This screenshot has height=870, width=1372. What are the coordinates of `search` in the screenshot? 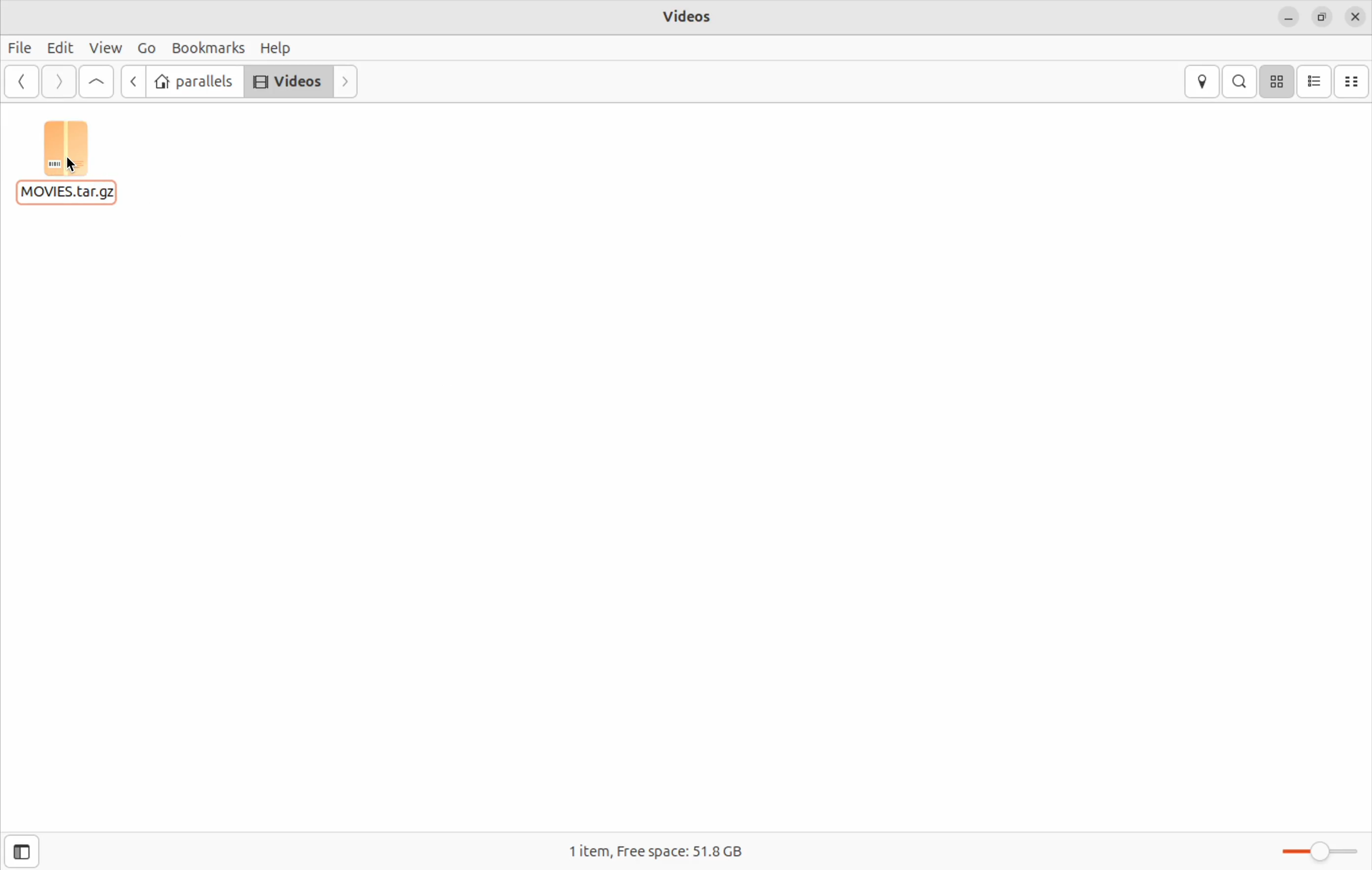 It's located at (1239, 81).